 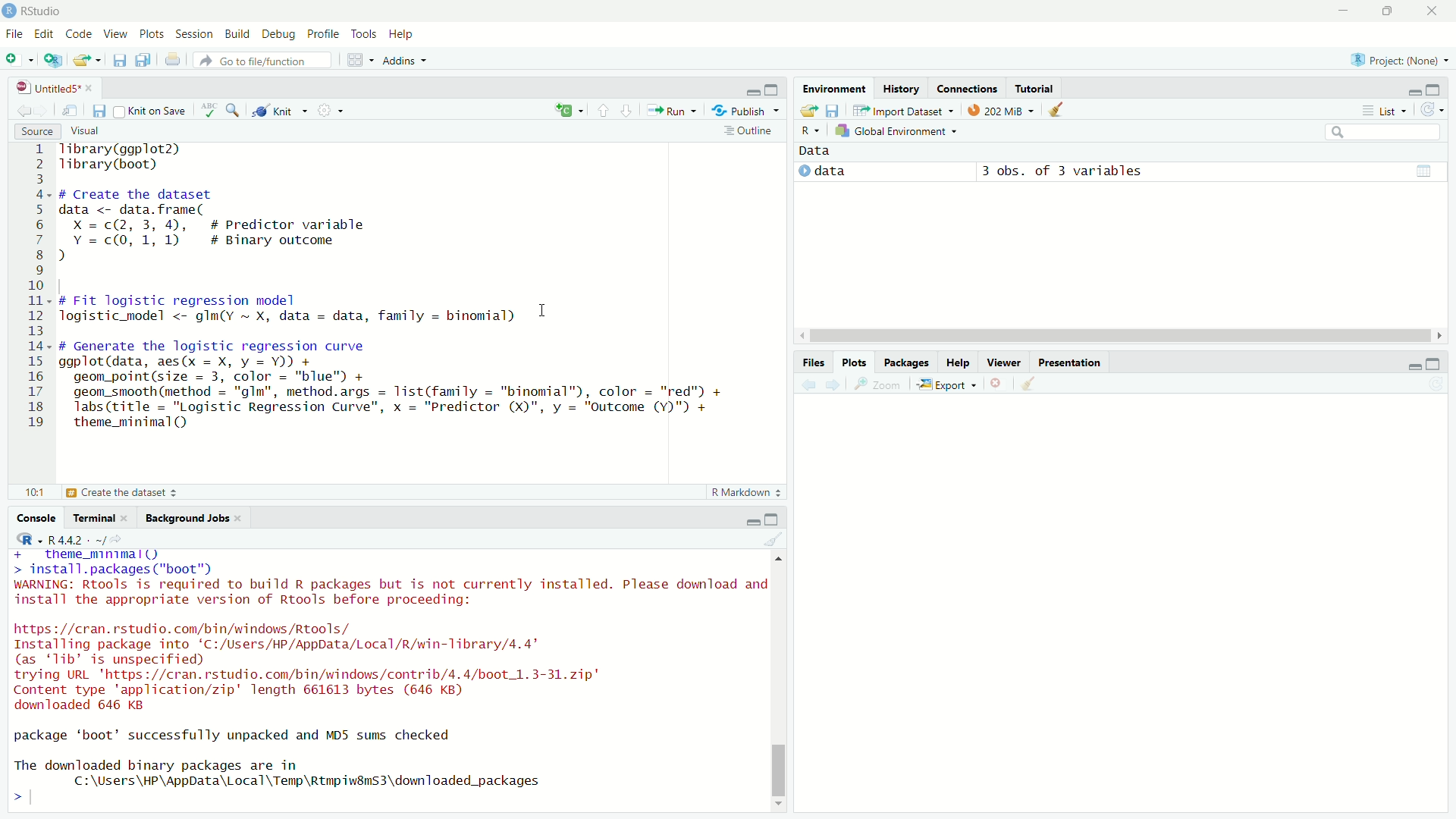 What do you see at coordinates (262, 60) in the screenshot?
I see `Go to file/function` at bounding box center [262, 60].